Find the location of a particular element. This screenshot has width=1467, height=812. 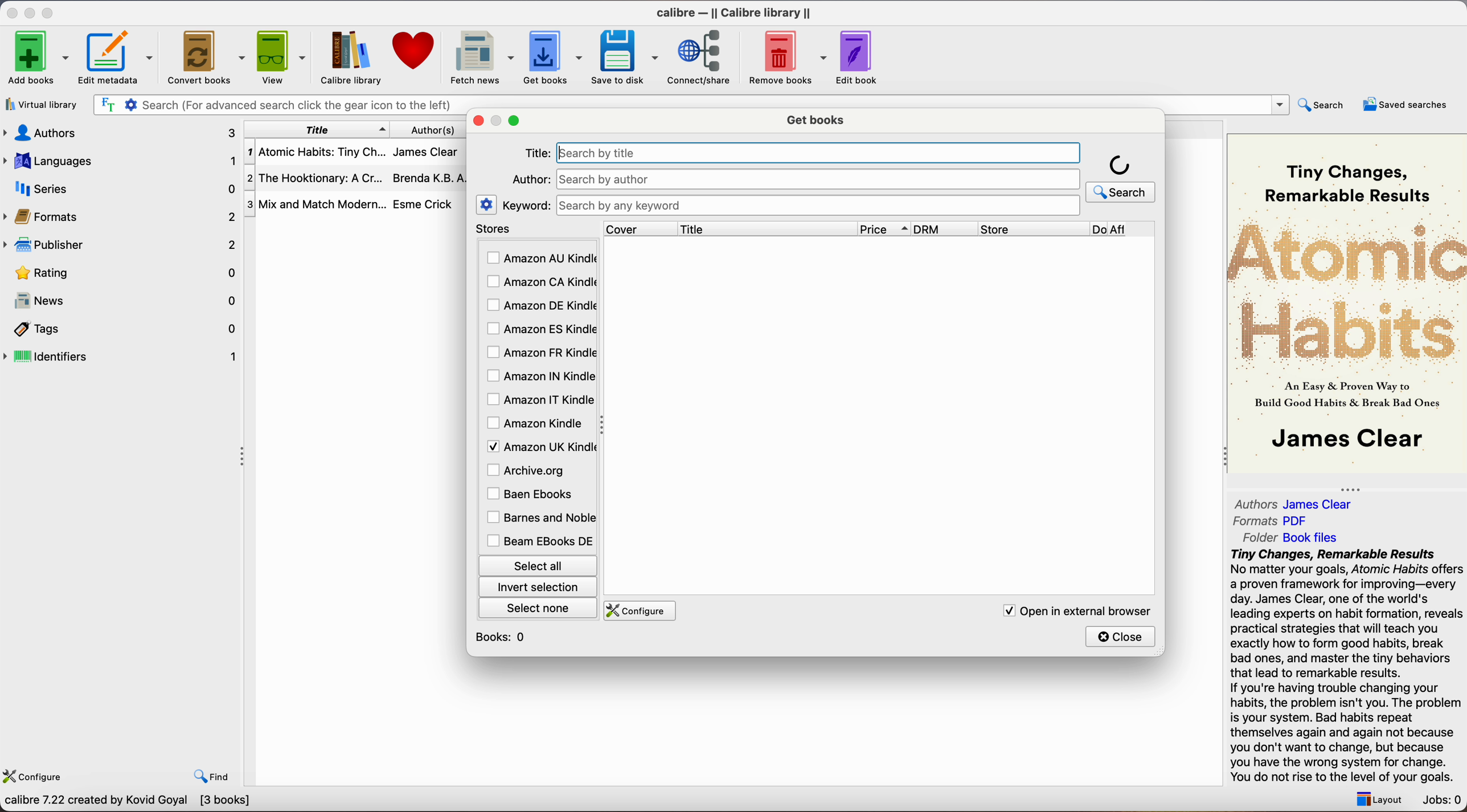

invert selection is located at coordinates (537, 587).